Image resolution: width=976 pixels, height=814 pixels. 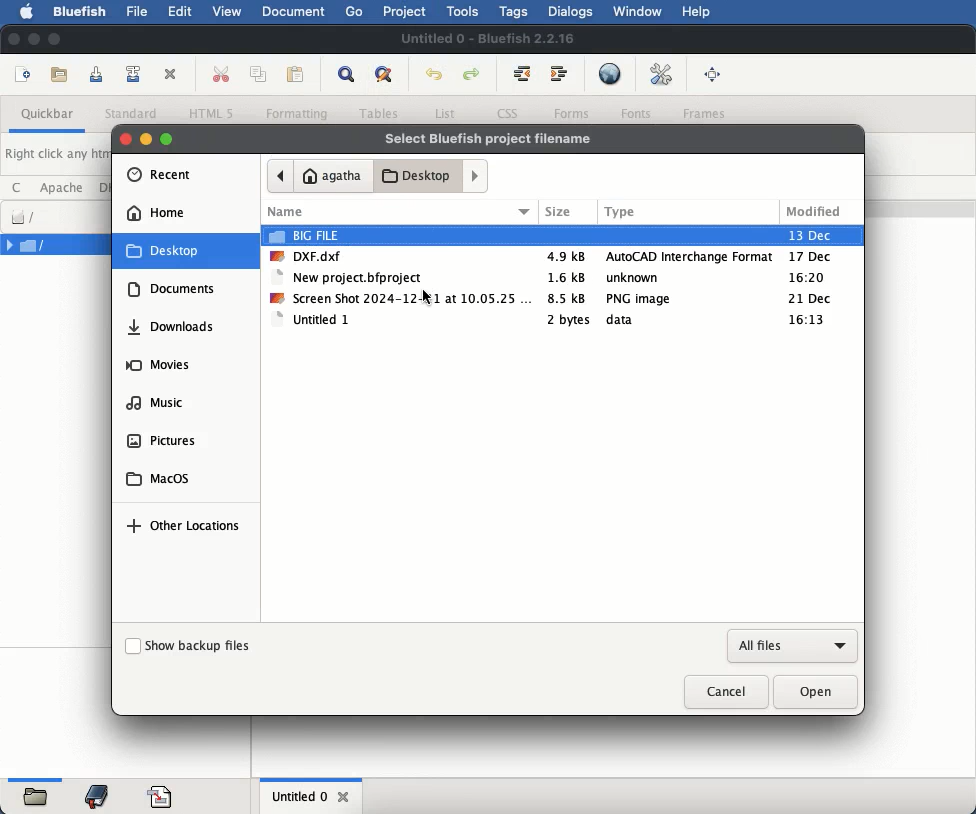 I want to click on cut, so click(x=221, y=73).